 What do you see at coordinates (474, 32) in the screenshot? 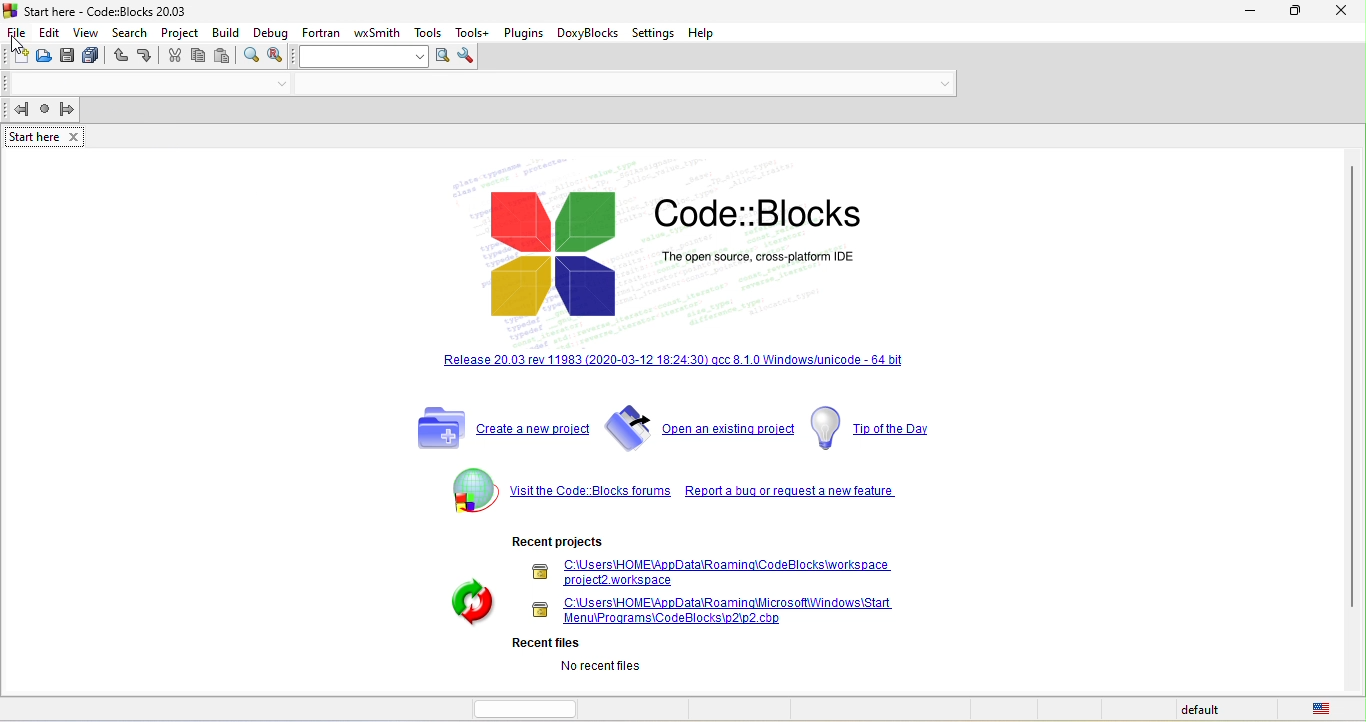
I see `tools++` at bounding box center [474, 32].